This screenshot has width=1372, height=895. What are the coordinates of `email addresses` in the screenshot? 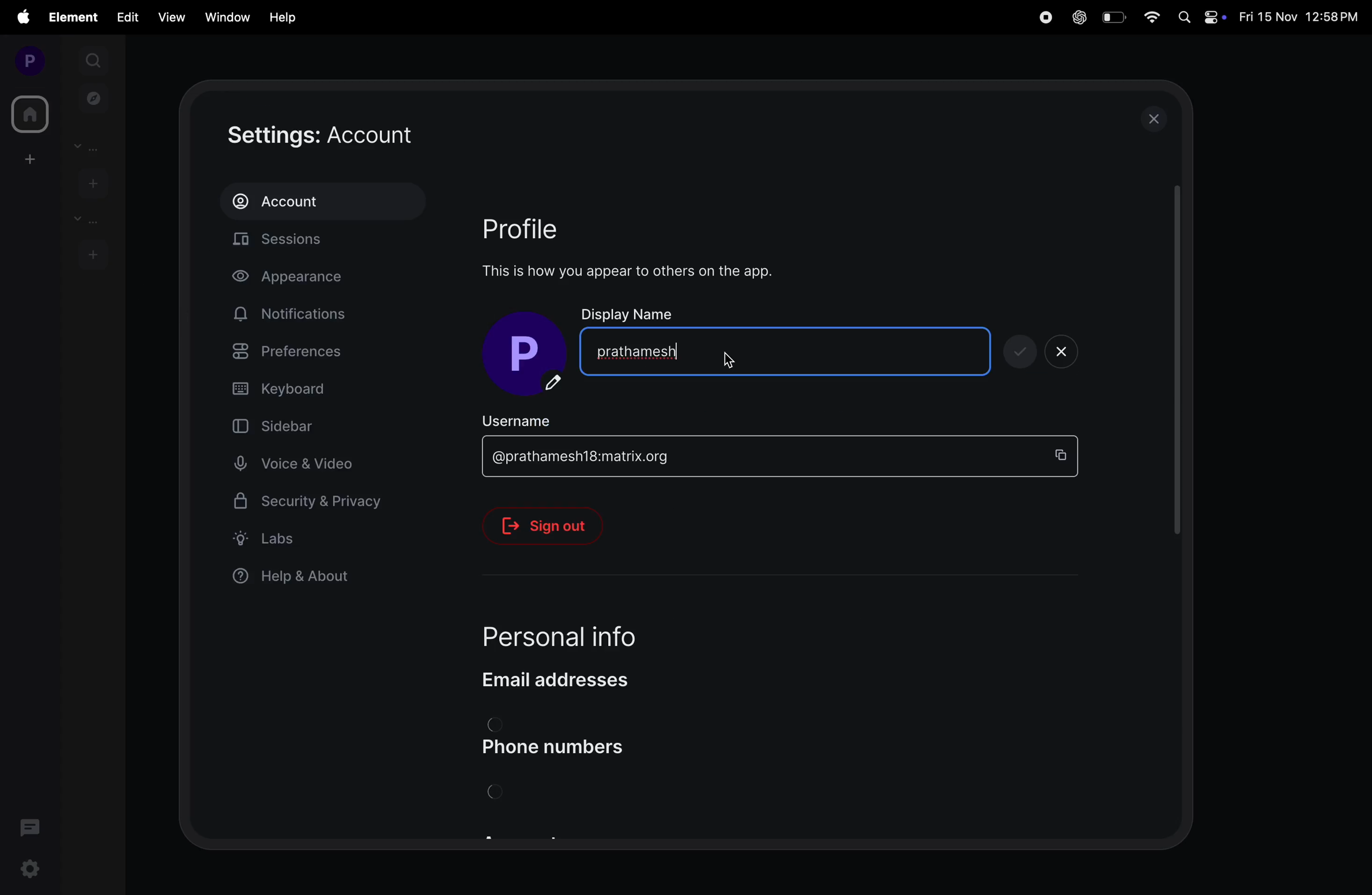 It's located at (568, 679).